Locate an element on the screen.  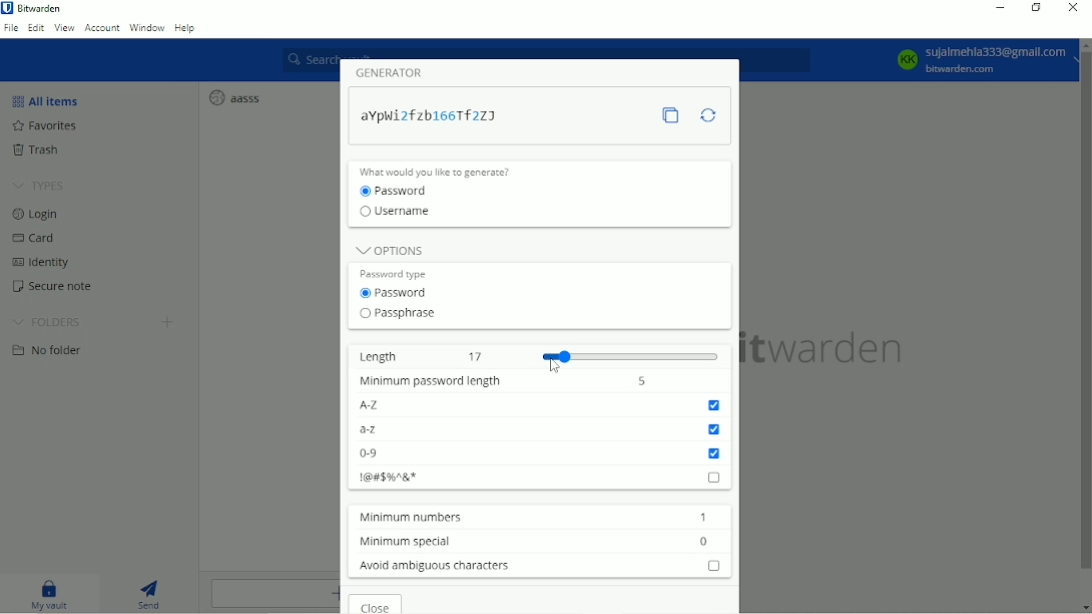
Slider is located at coordinates (633, 355).